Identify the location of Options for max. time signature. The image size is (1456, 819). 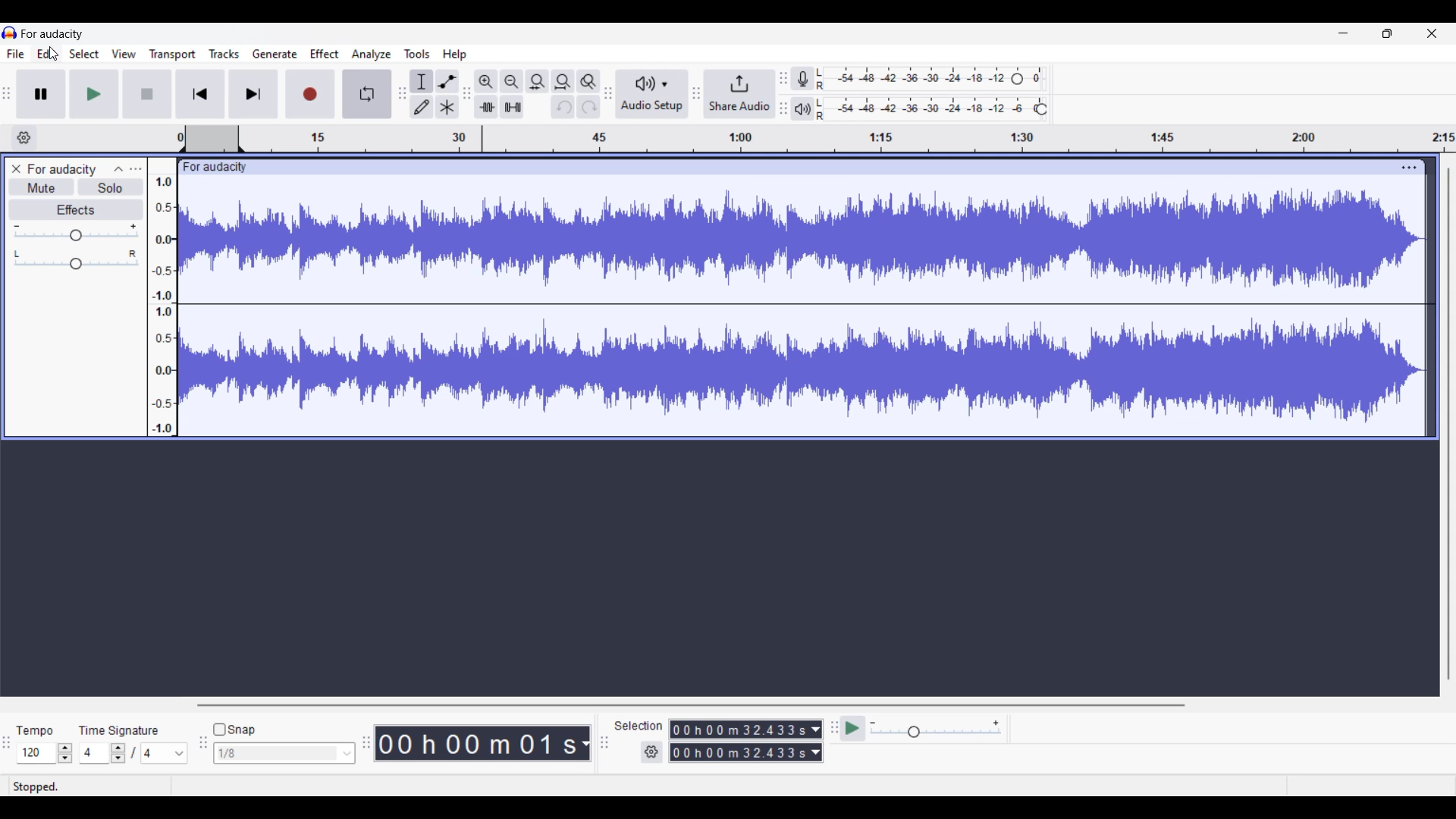
(165, 753).